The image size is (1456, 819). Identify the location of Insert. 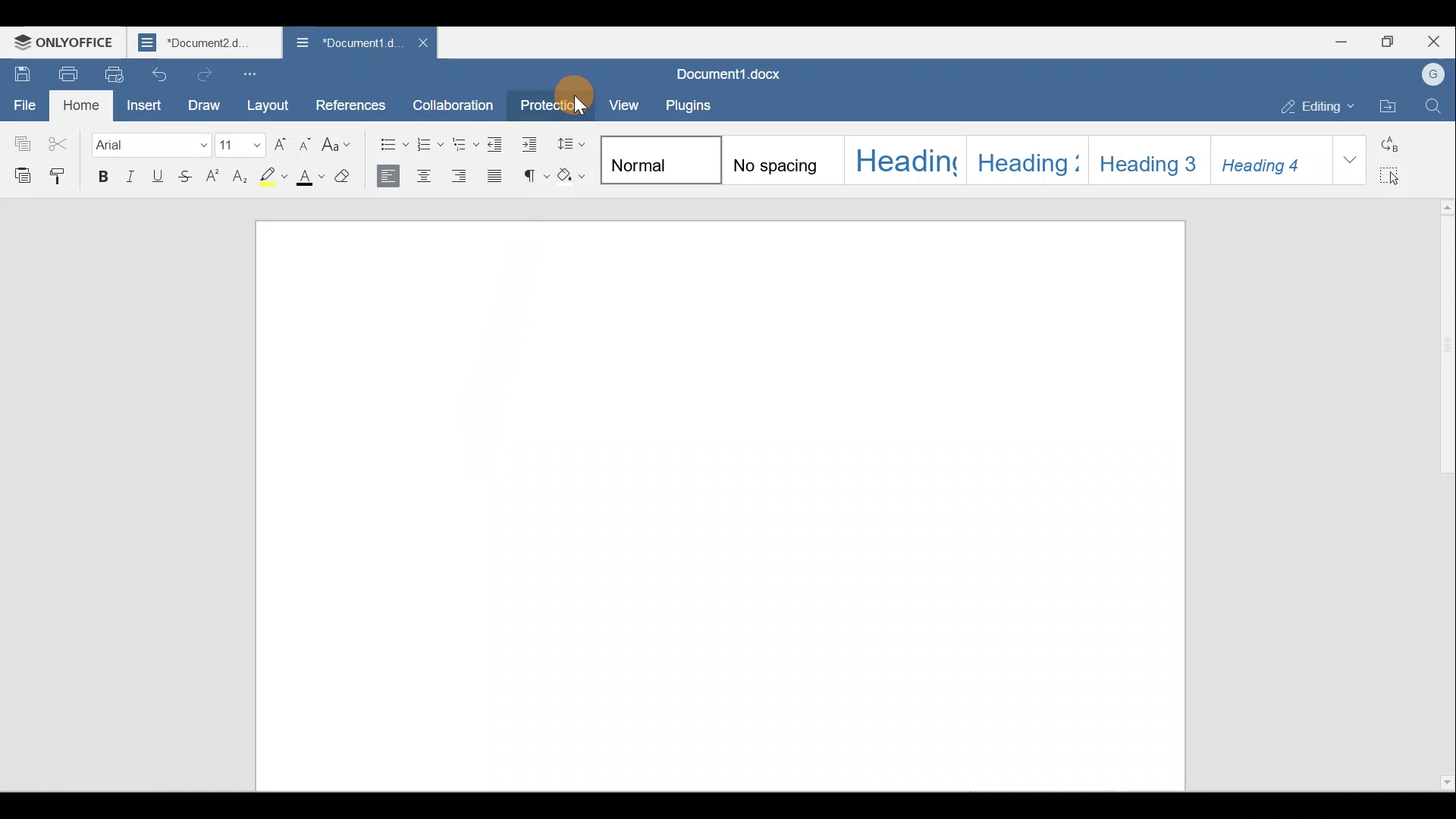
(146, 105).